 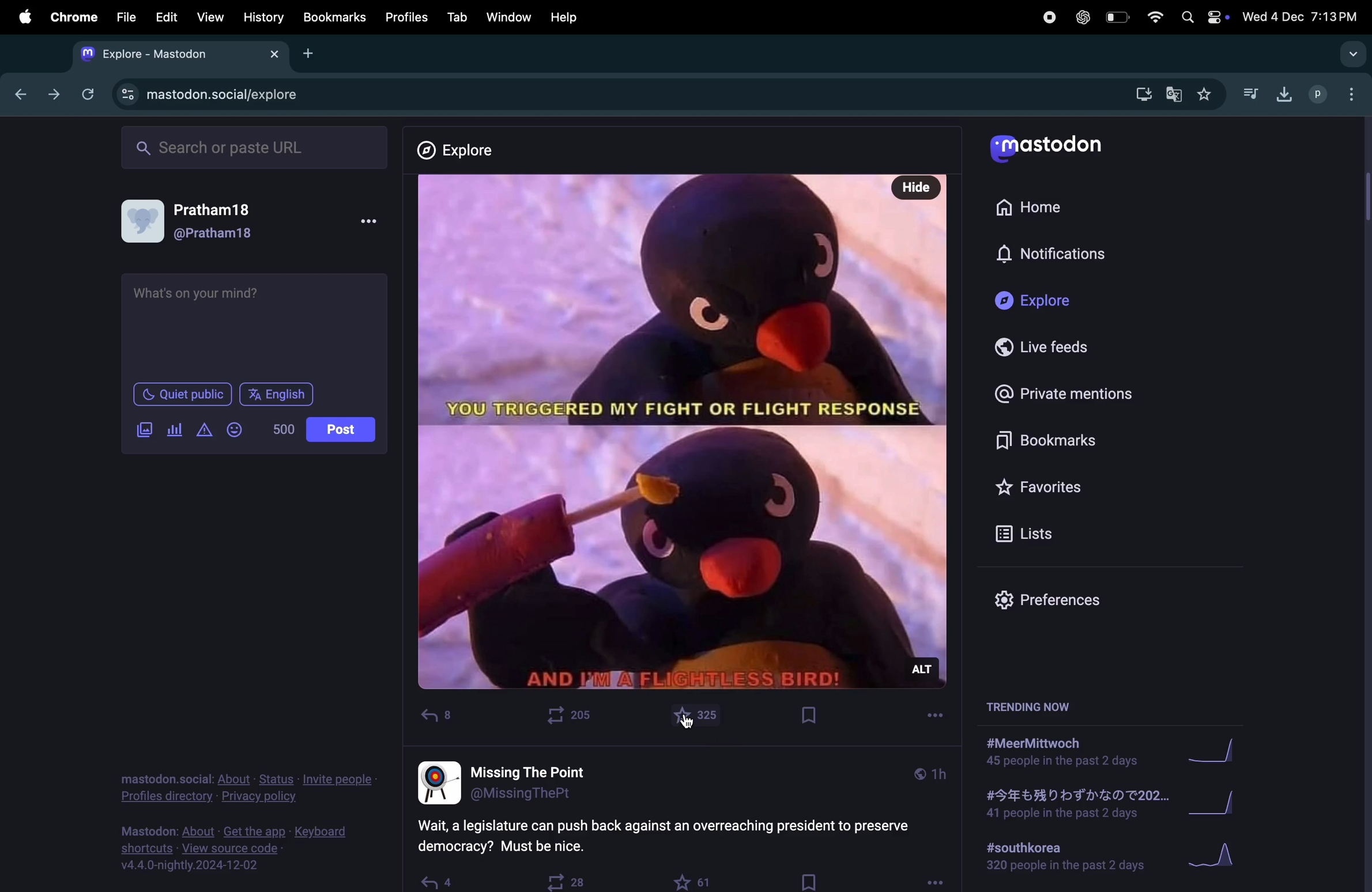 What do you see at coordinates (1360, 199) in the screenshot?
I see `scroll bar` at bounding box center [1360, 199].